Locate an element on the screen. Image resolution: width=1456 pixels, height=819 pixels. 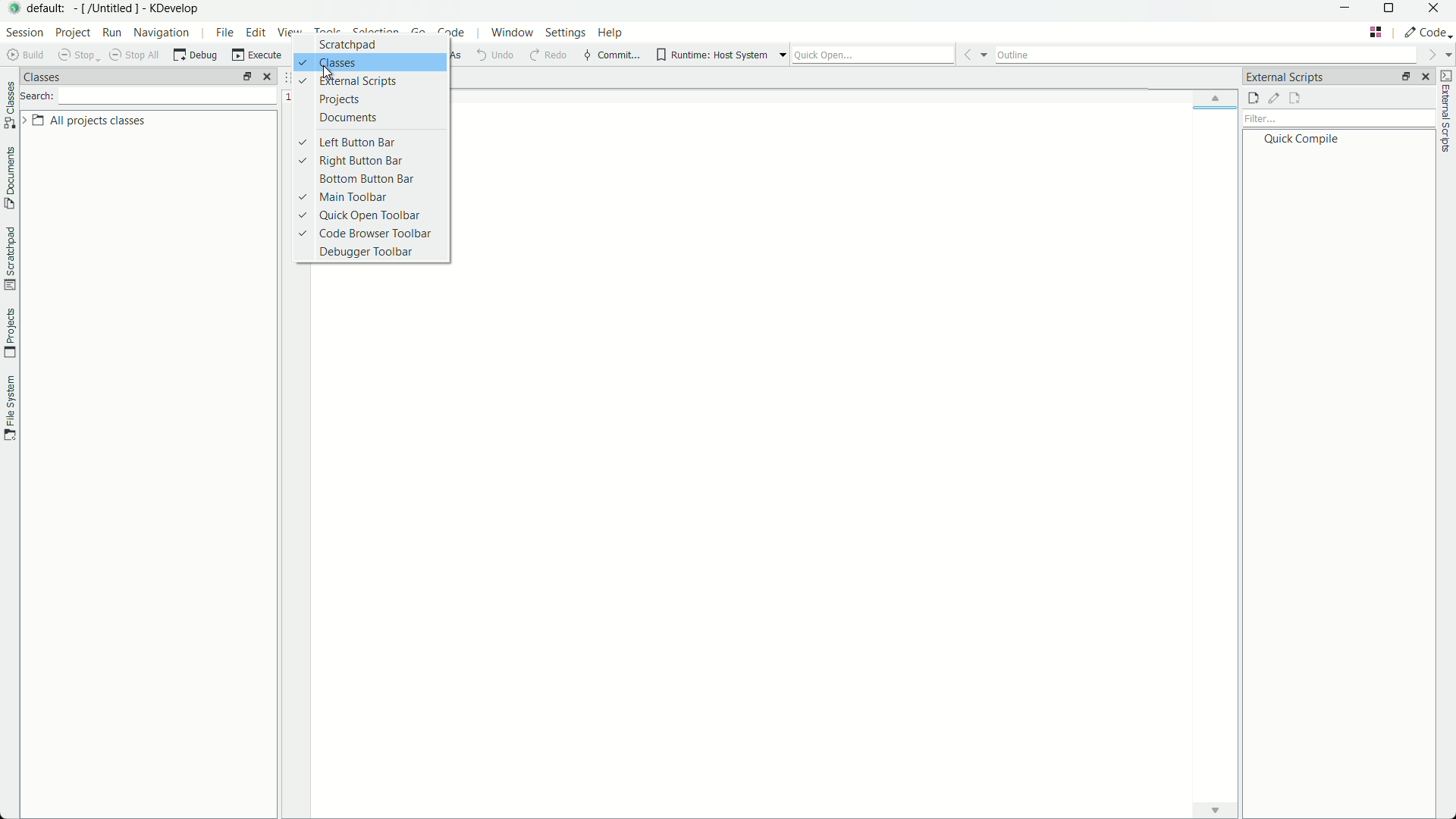
documents is located at coordinates (371, 119).